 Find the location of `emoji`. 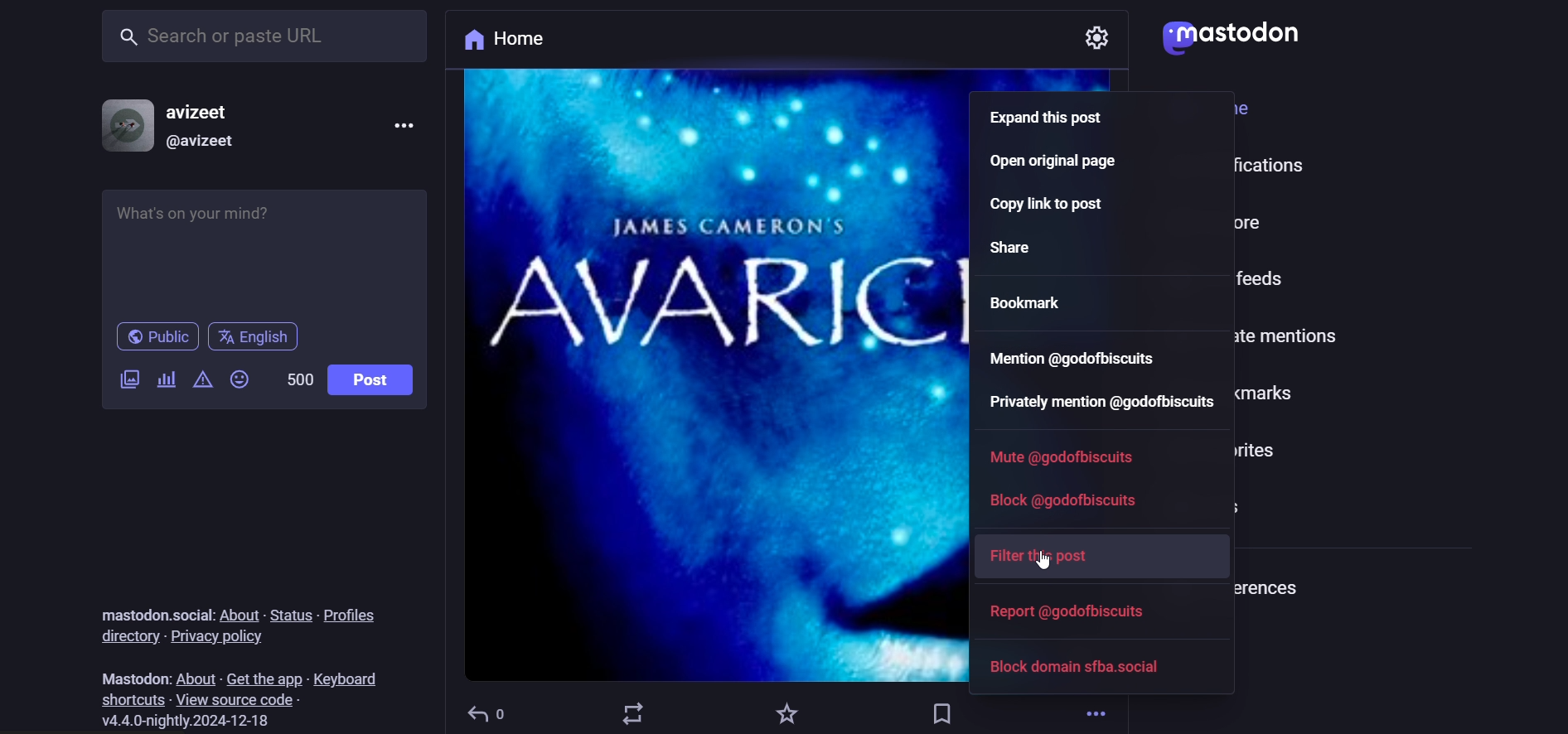

emoji is located at coordinates (243, 375).